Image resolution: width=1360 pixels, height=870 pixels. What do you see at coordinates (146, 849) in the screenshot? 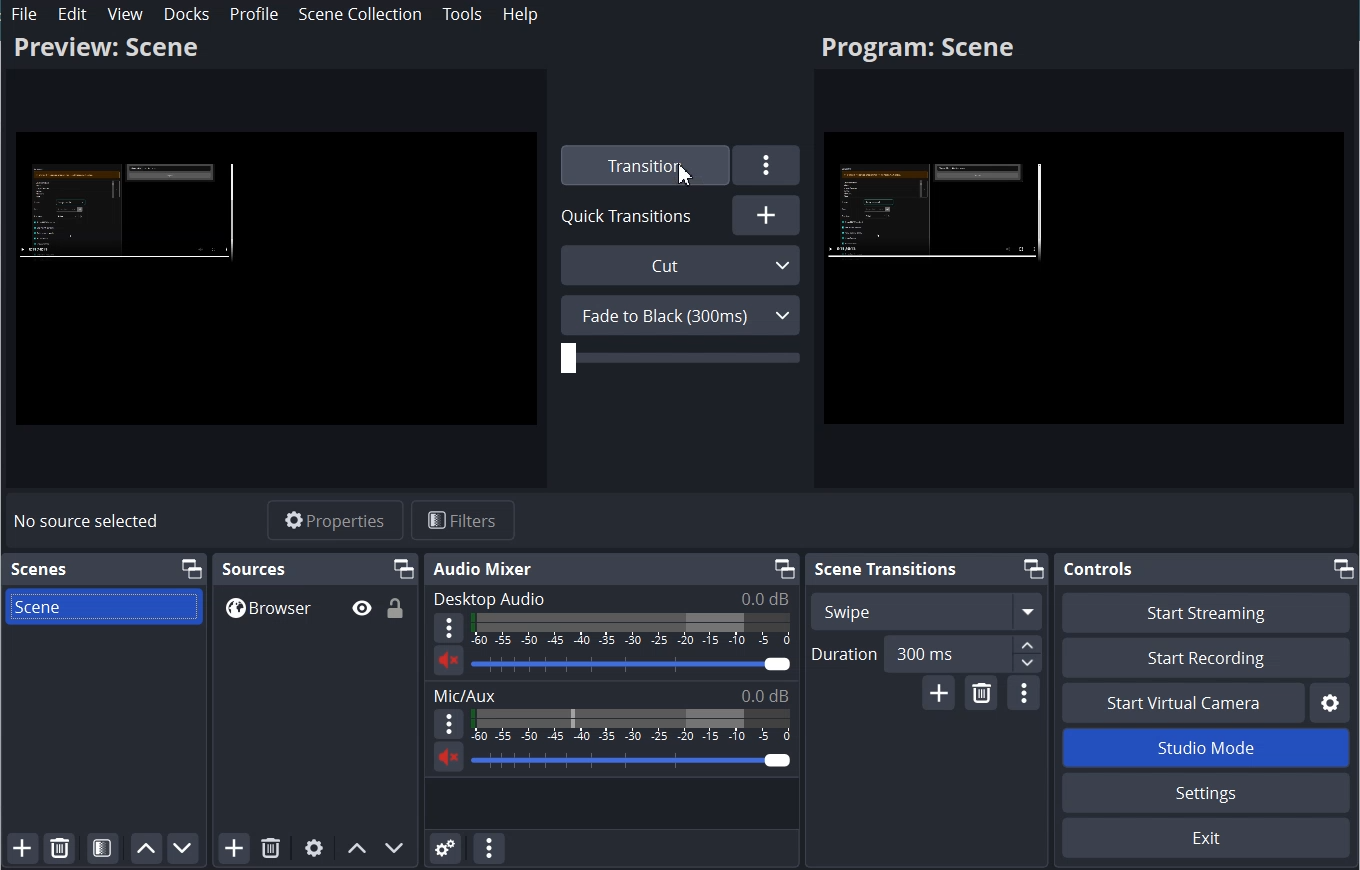
I see `Move Scene Up` at bounding box center [146, 849].